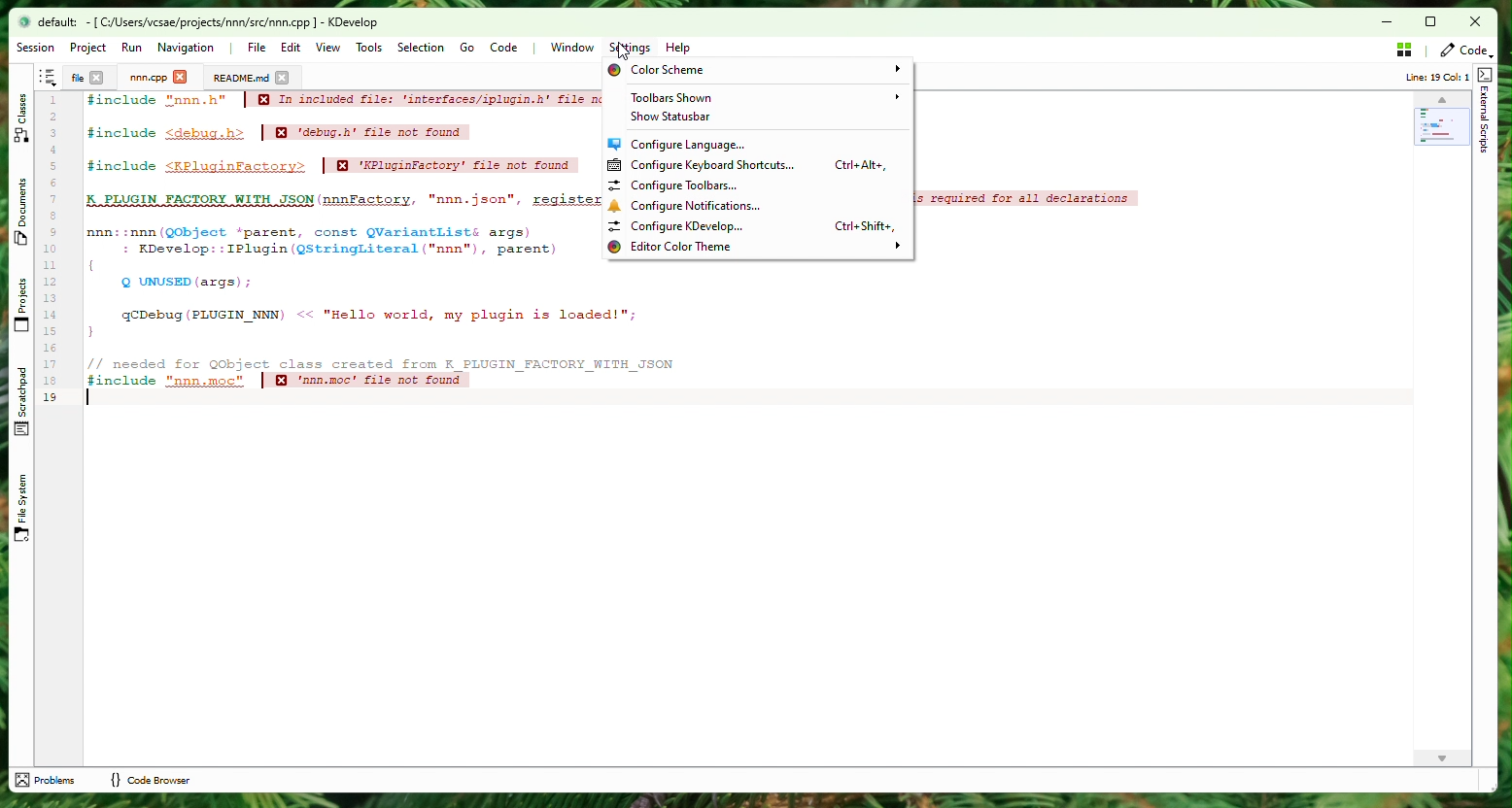 This screenshot has width=1512, height=808. What do you see at coordinates (511, 50) in the screenshot?
I see `Code` at bounding box center [511, 50].